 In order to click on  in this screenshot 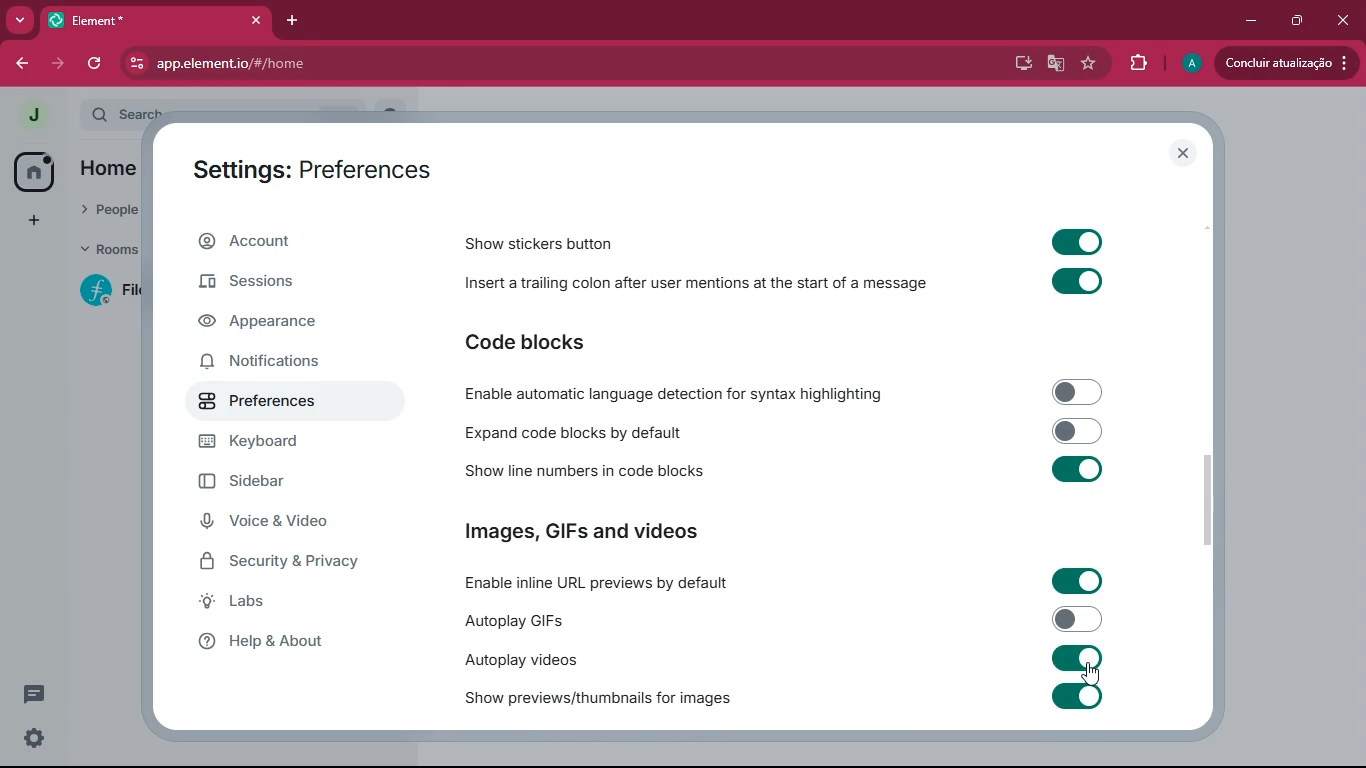, I will do `click(1077, 696)`.